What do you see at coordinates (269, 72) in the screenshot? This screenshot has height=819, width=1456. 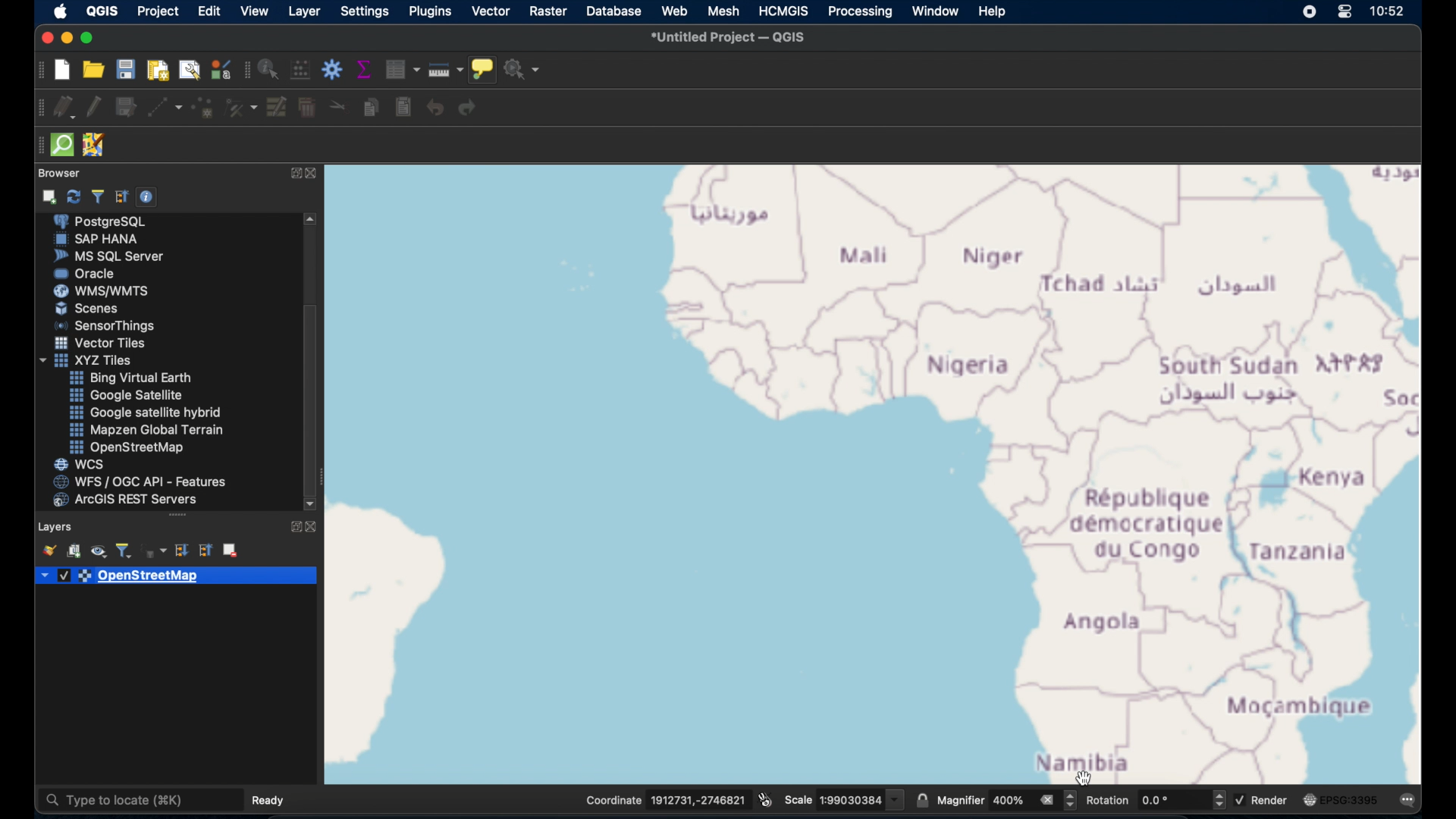 I see `identify feature` at bounding box center [269, 72].